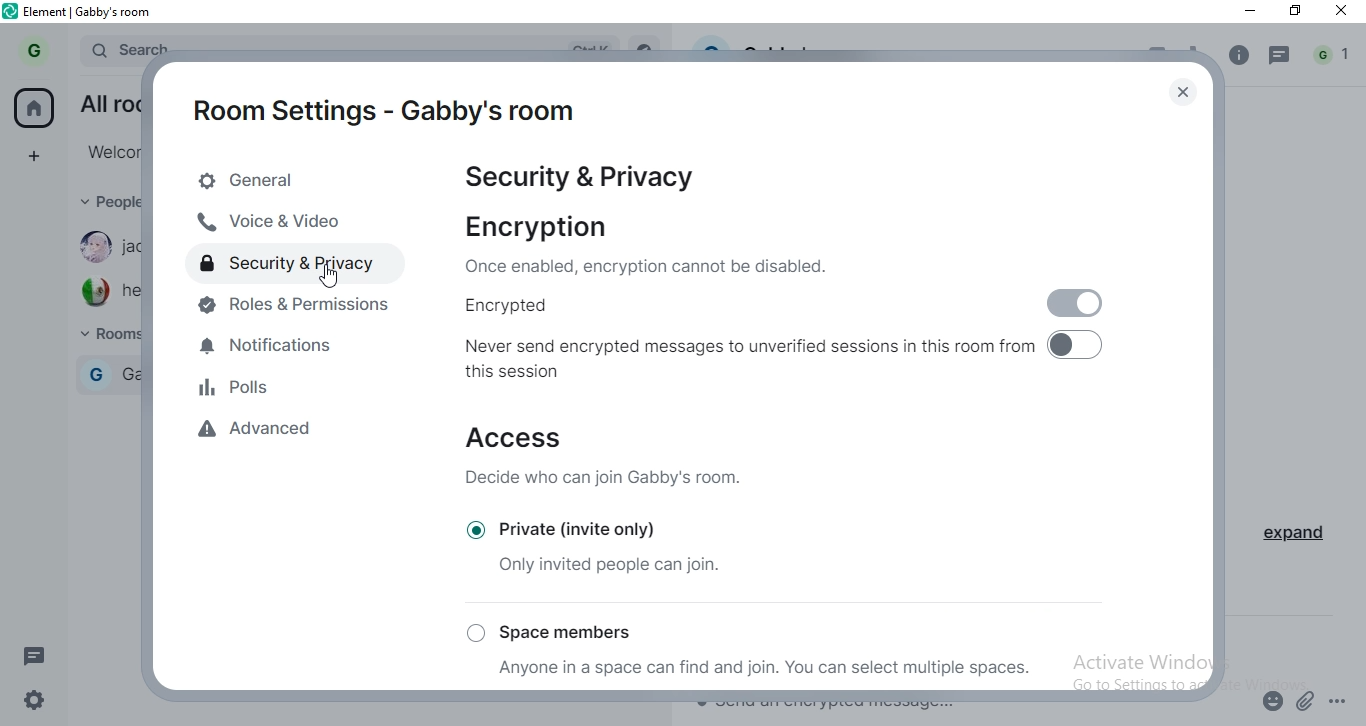  I want to click on element logo, so click(11, 11).